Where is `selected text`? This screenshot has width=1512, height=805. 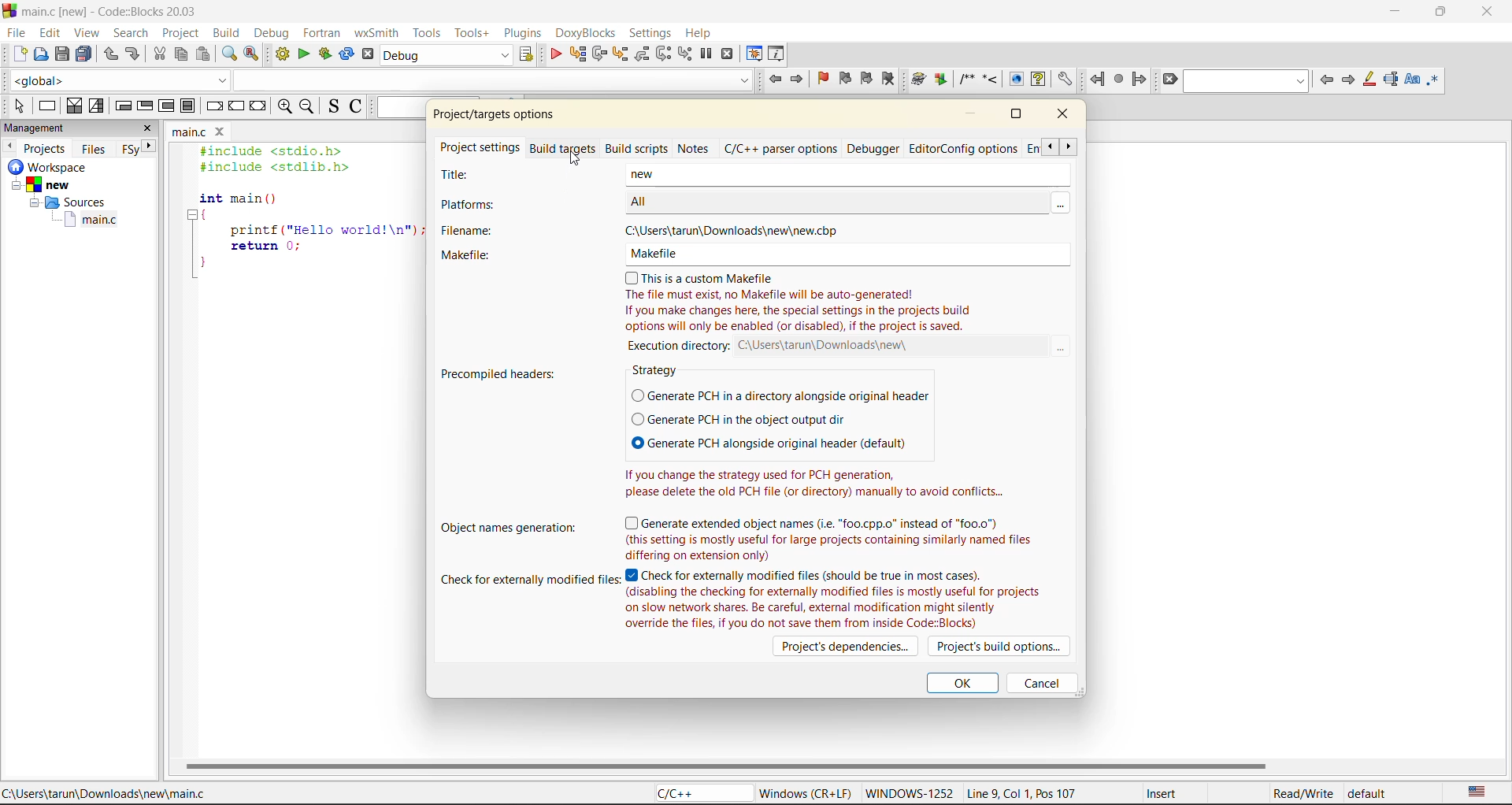 selected text is located at coordinates (1393, 79).